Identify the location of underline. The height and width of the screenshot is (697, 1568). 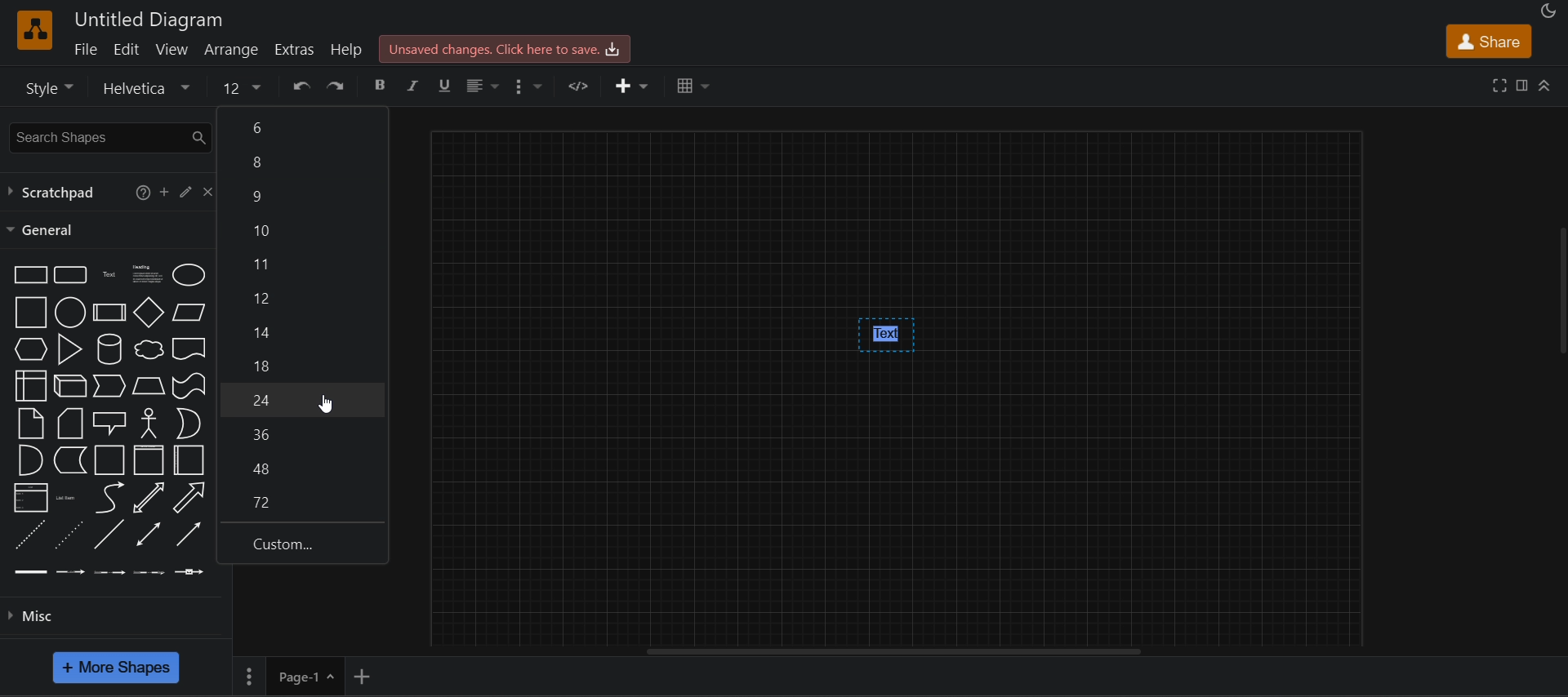
(447, 87).